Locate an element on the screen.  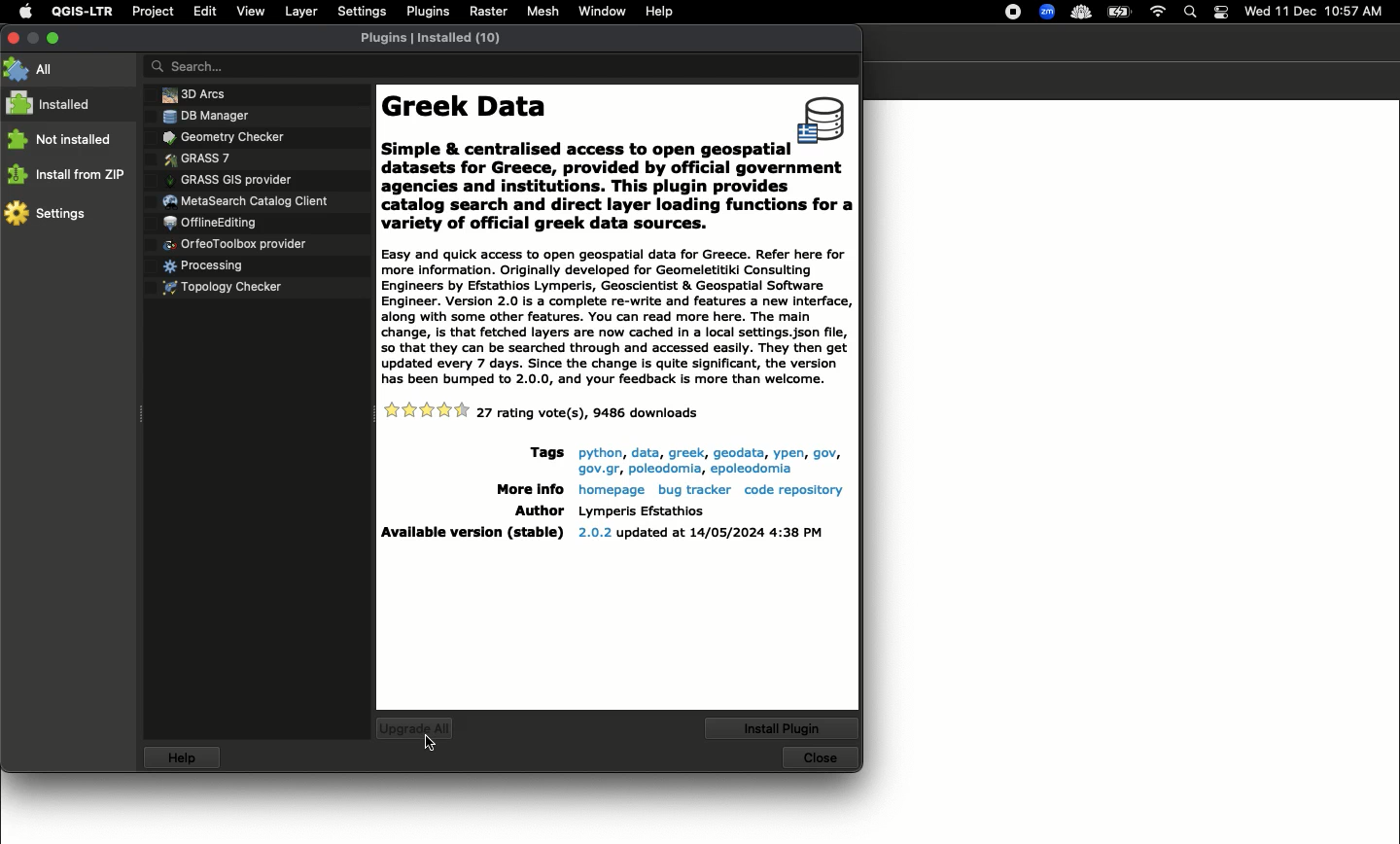
Edit is located at coordinates (203, 11).